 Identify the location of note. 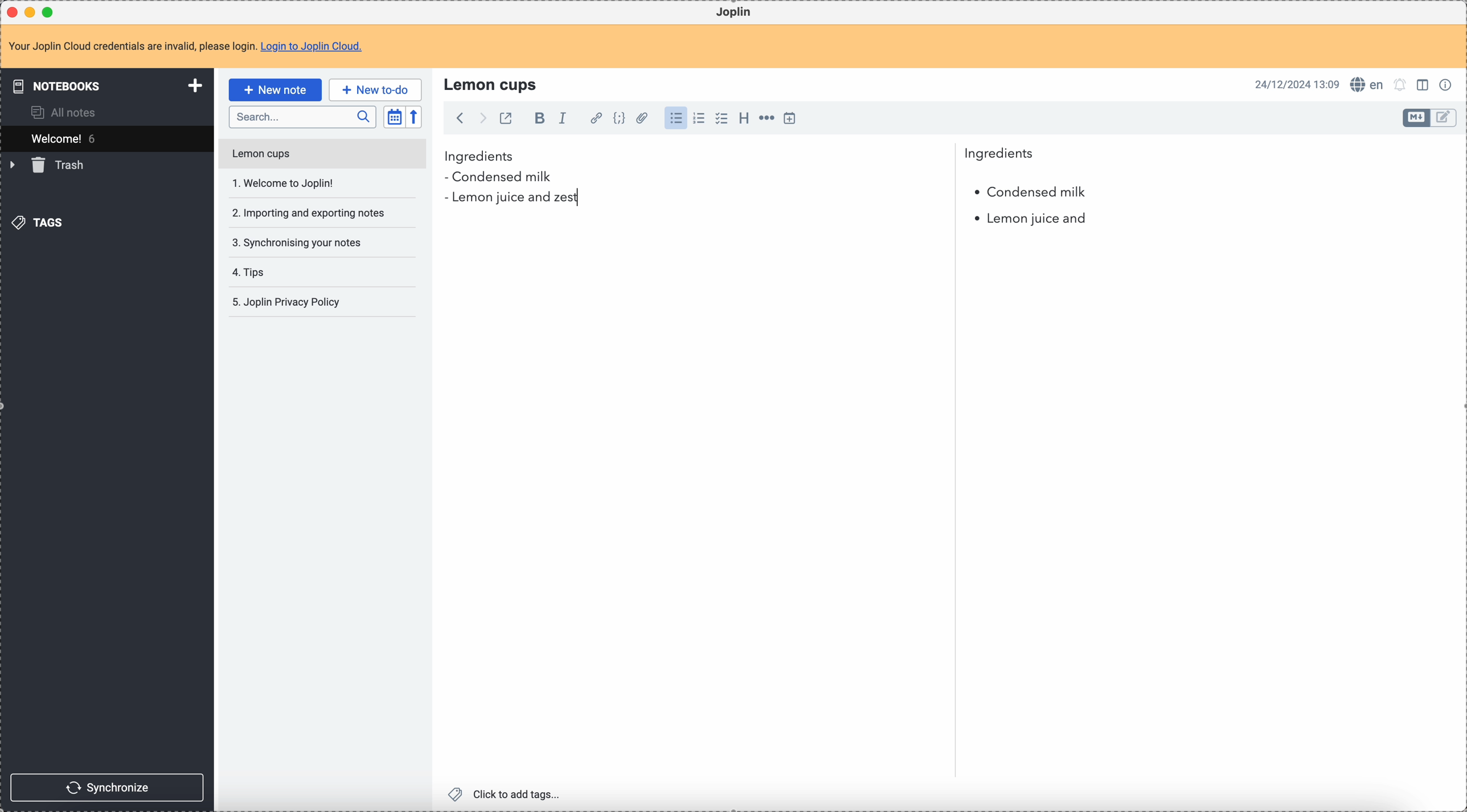
(192, 47).